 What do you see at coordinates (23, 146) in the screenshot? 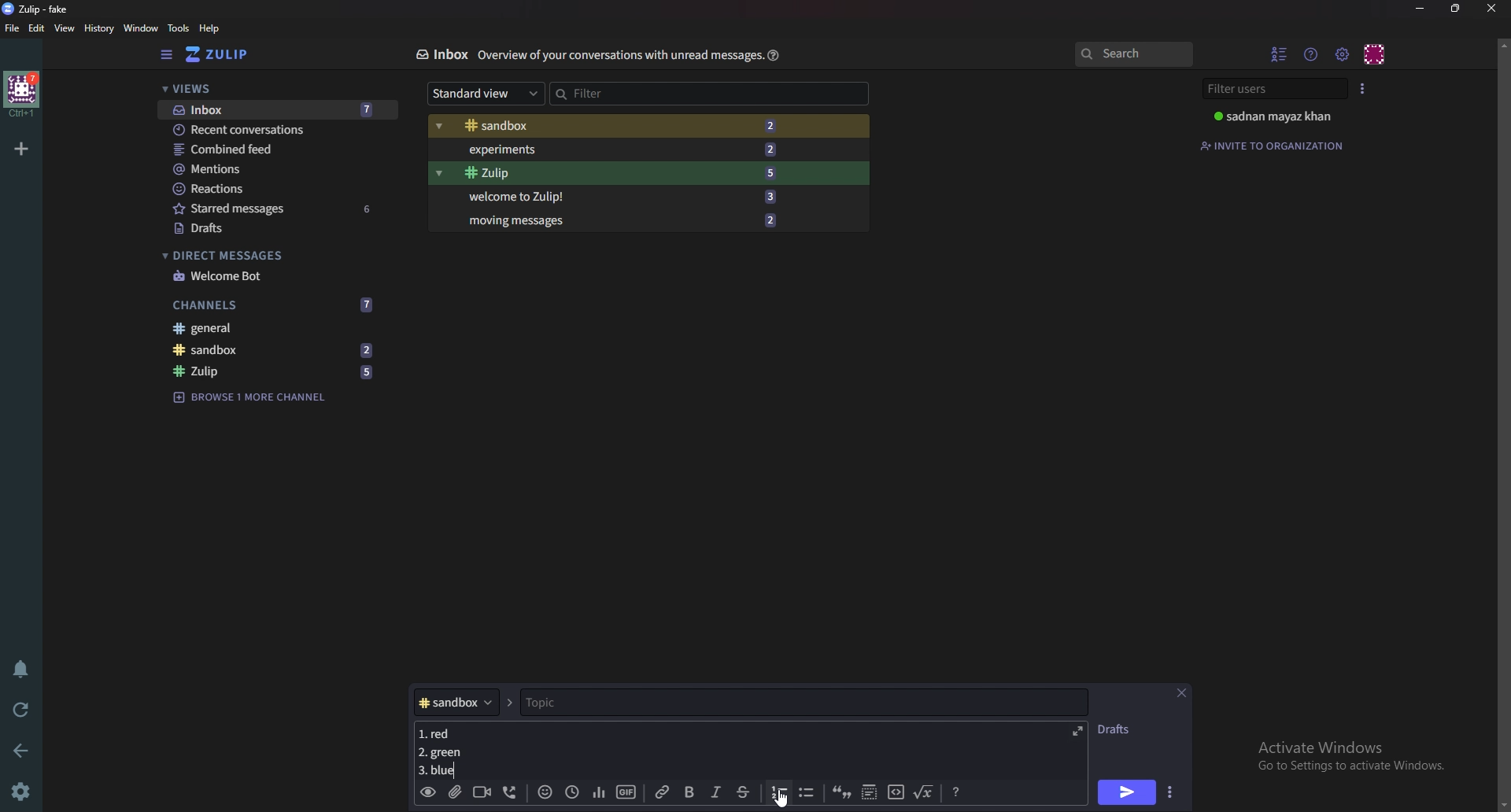
I see `Add organization` at bounding box center [23, 146].